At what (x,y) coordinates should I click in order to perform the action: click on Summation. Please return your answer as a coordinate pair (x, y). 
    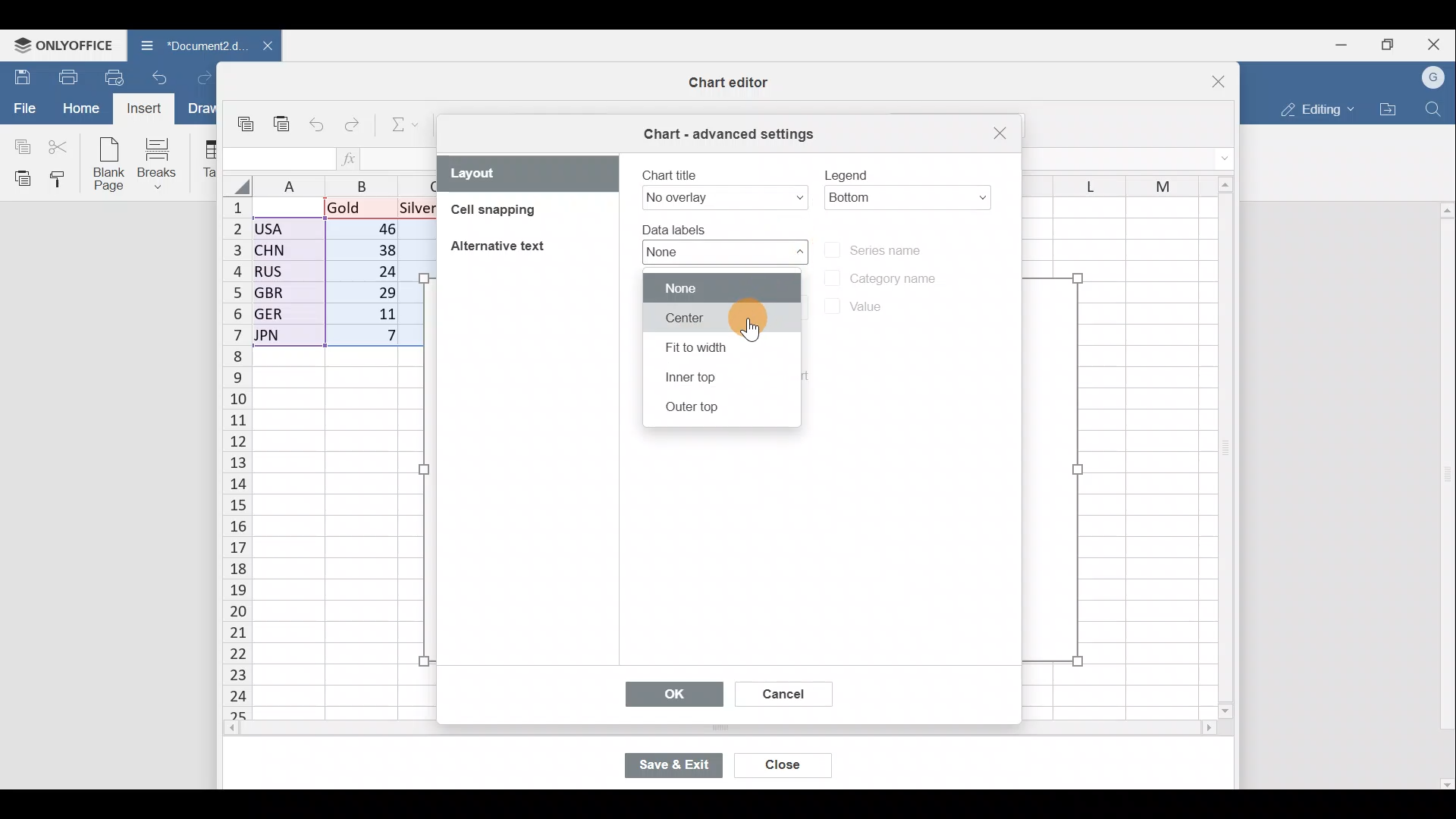
    Looking at the image, I should click on (406, 122).